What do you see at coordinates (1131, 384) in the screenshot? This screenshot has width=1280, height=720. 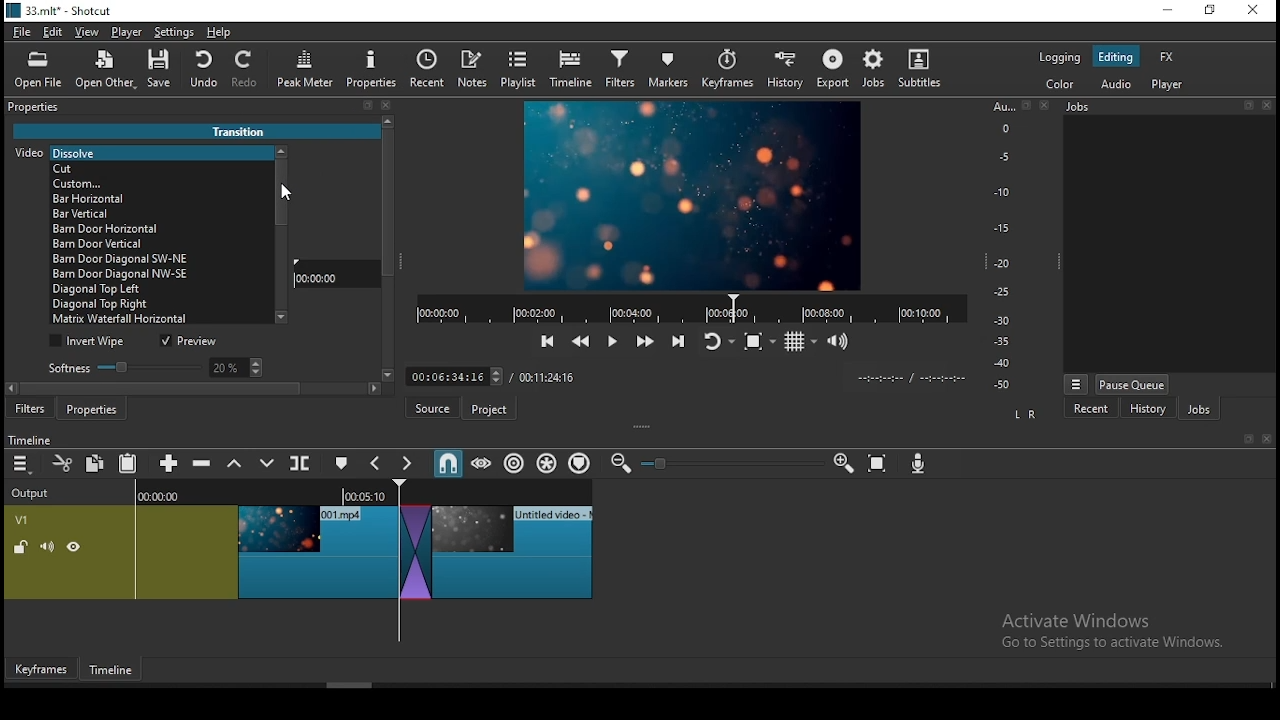 I see `pause queue` at bounding box center [1131, 384].